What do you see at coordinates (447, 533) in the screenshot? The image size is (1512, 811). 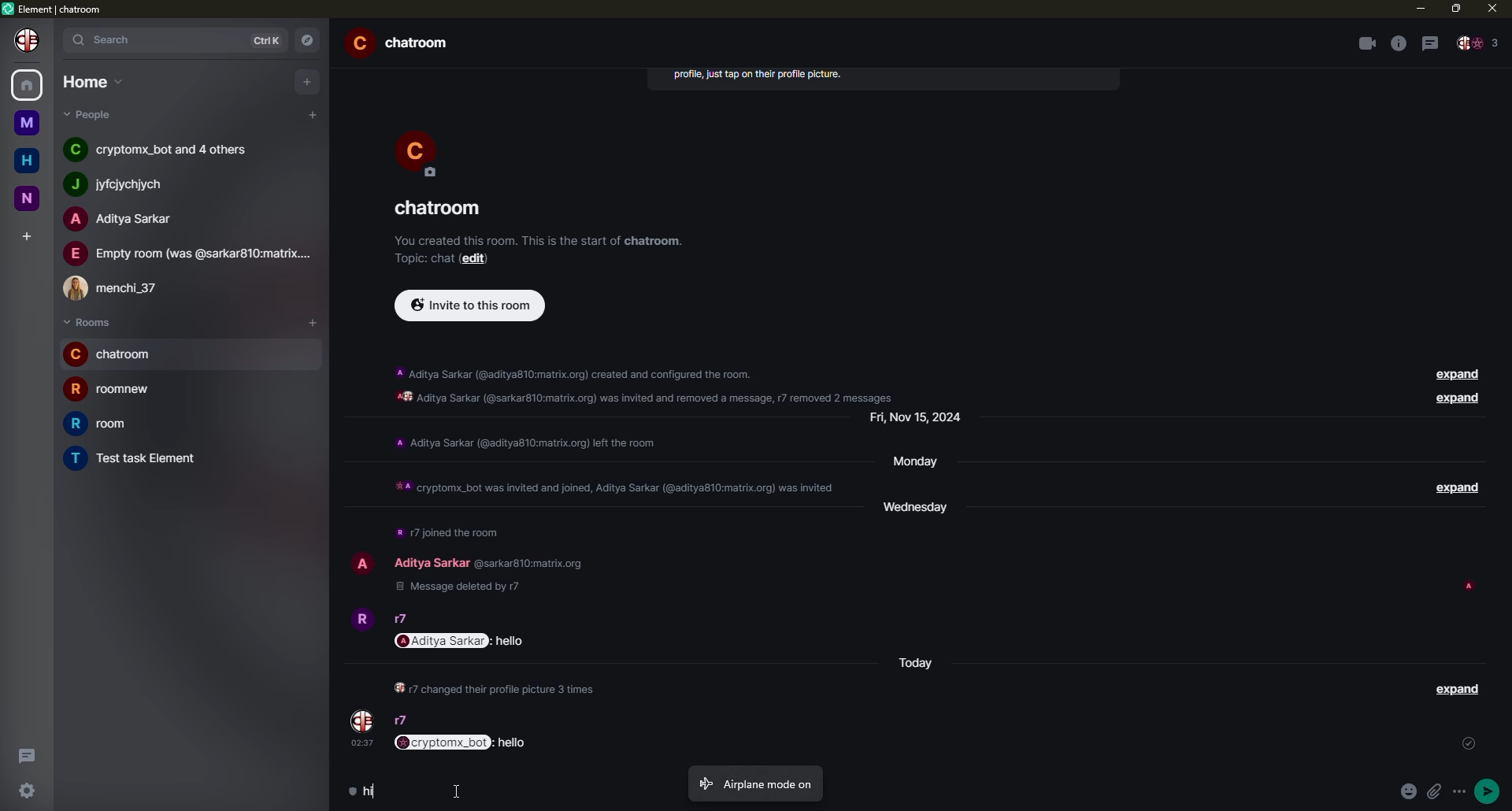 I see `info` at bounding box center [447, 533].